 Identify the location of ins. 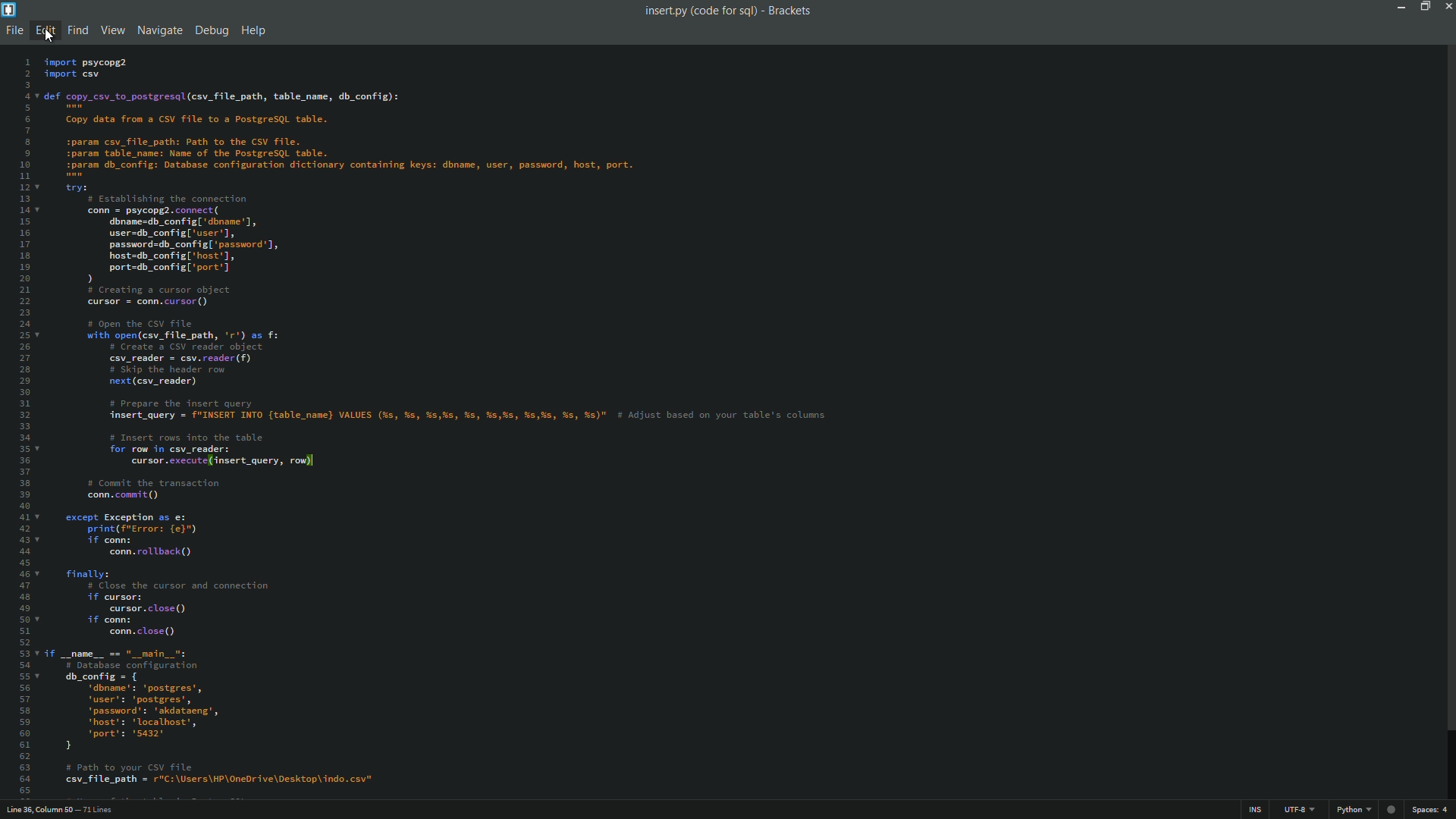
(1257, 811).